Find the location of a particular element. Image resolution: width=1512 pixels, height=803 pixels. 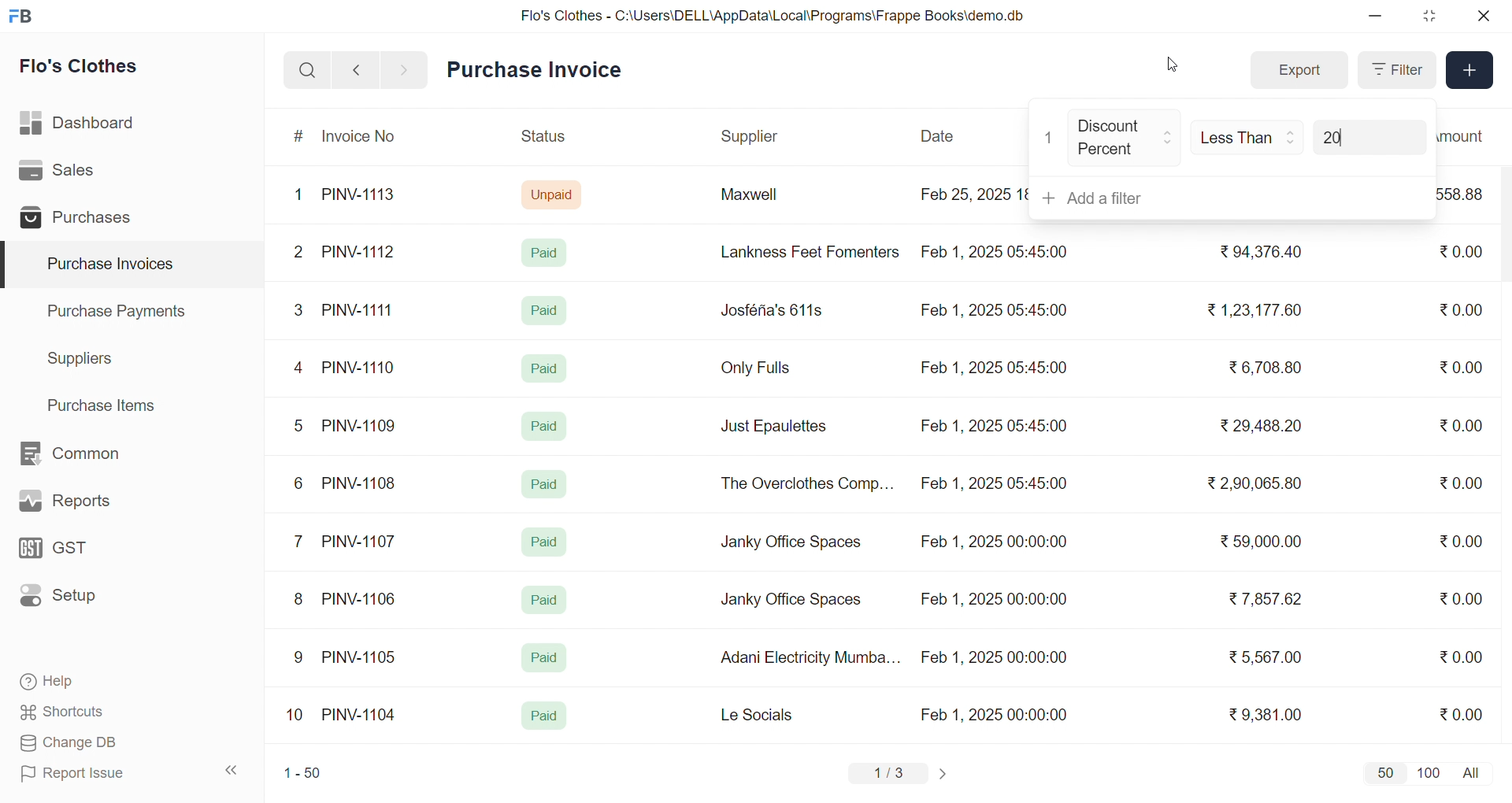

Status is located at coordinates (542, 139).